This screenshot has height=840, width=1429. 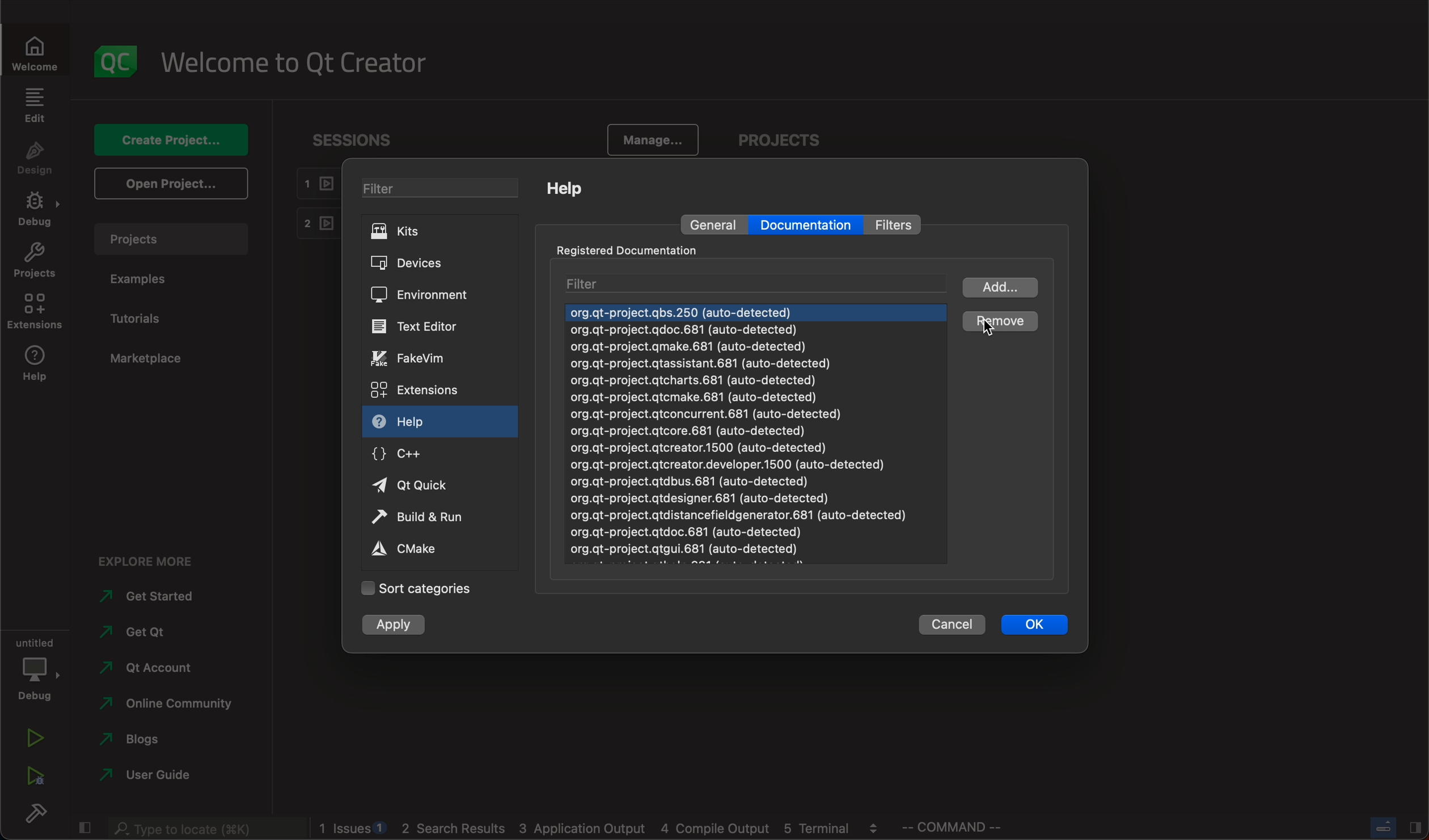 What do you see at coordinates (174, 182) in the screenshot?
I see `open` at bounding box center [174, 182].